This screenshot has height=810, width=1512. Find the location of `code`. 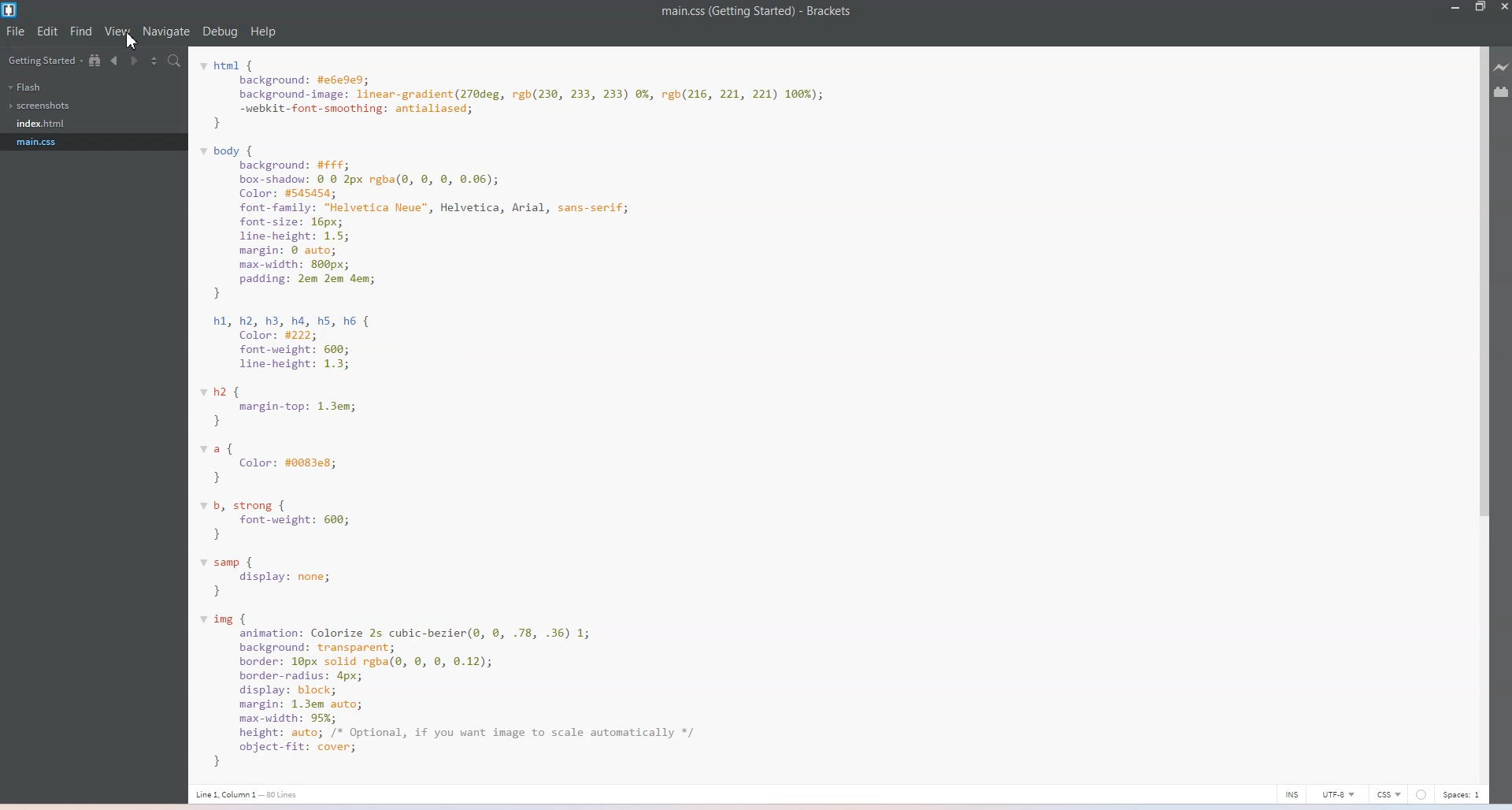

code is located at coordinates (511, 411).